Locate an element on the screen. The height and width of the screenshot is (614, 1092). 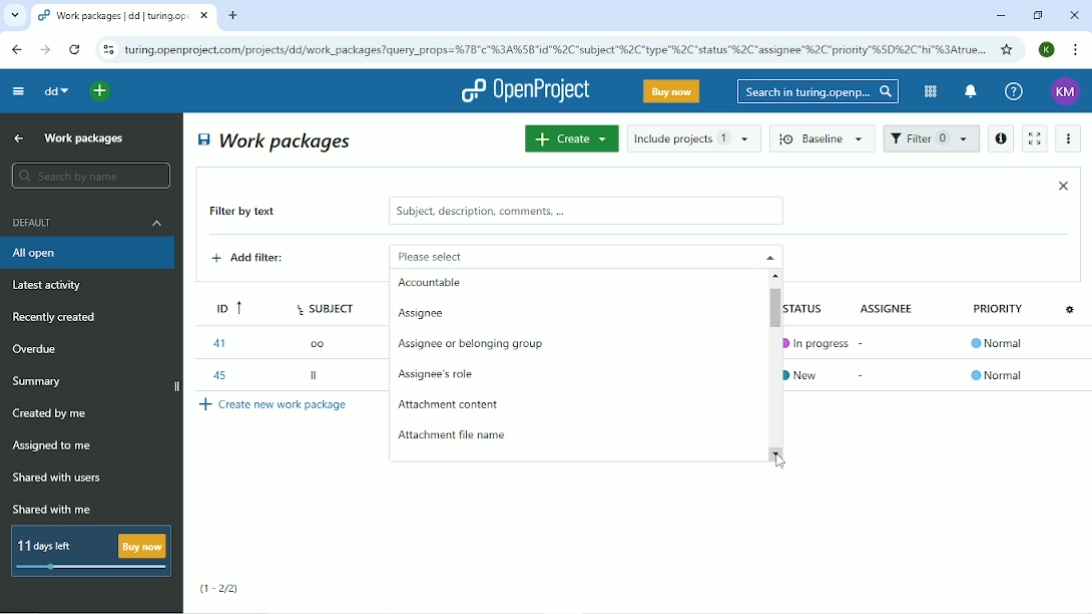
subject, description, comments is located at coordinates (585, 211).